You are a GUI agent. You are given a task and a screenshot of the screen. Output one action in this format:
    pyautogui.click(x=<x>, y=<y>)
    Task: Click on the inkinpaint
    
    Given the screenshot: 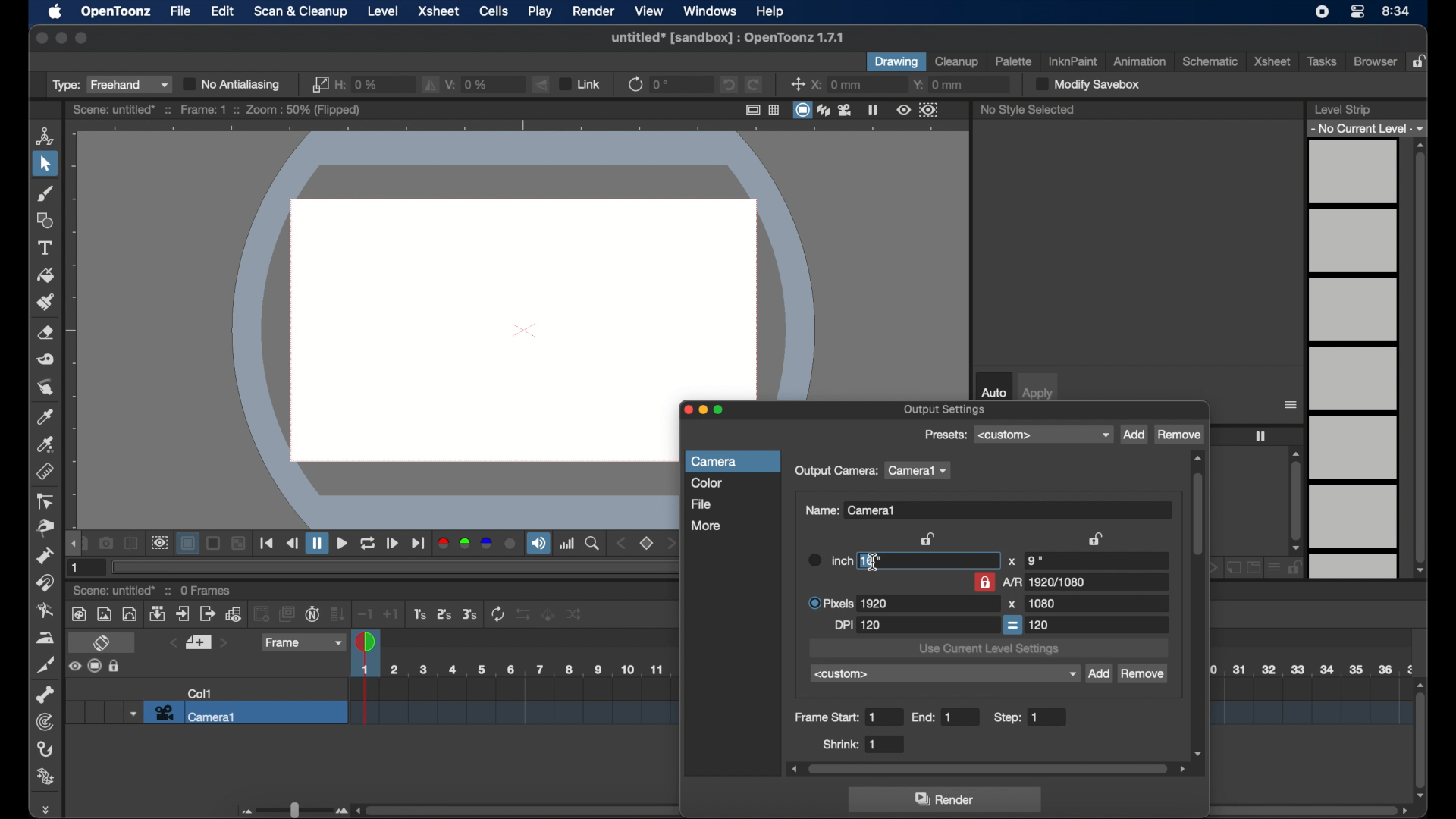 What is the action you would take?
    pyautogui.click(x=1074, y=61)
    